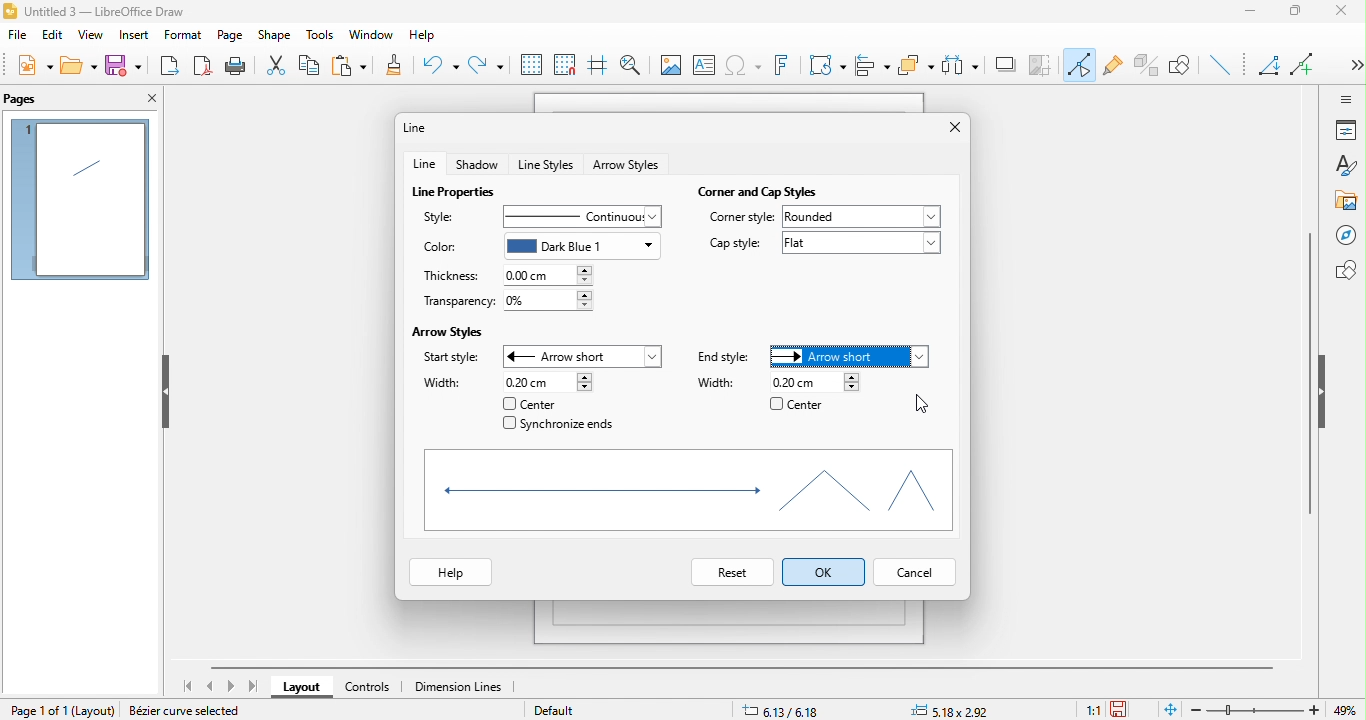 This screenshot has height=720, width=1366. What do you see at coordinates (32, 68) in the screenshot?
I see `new` at bounding box center [32, 68].